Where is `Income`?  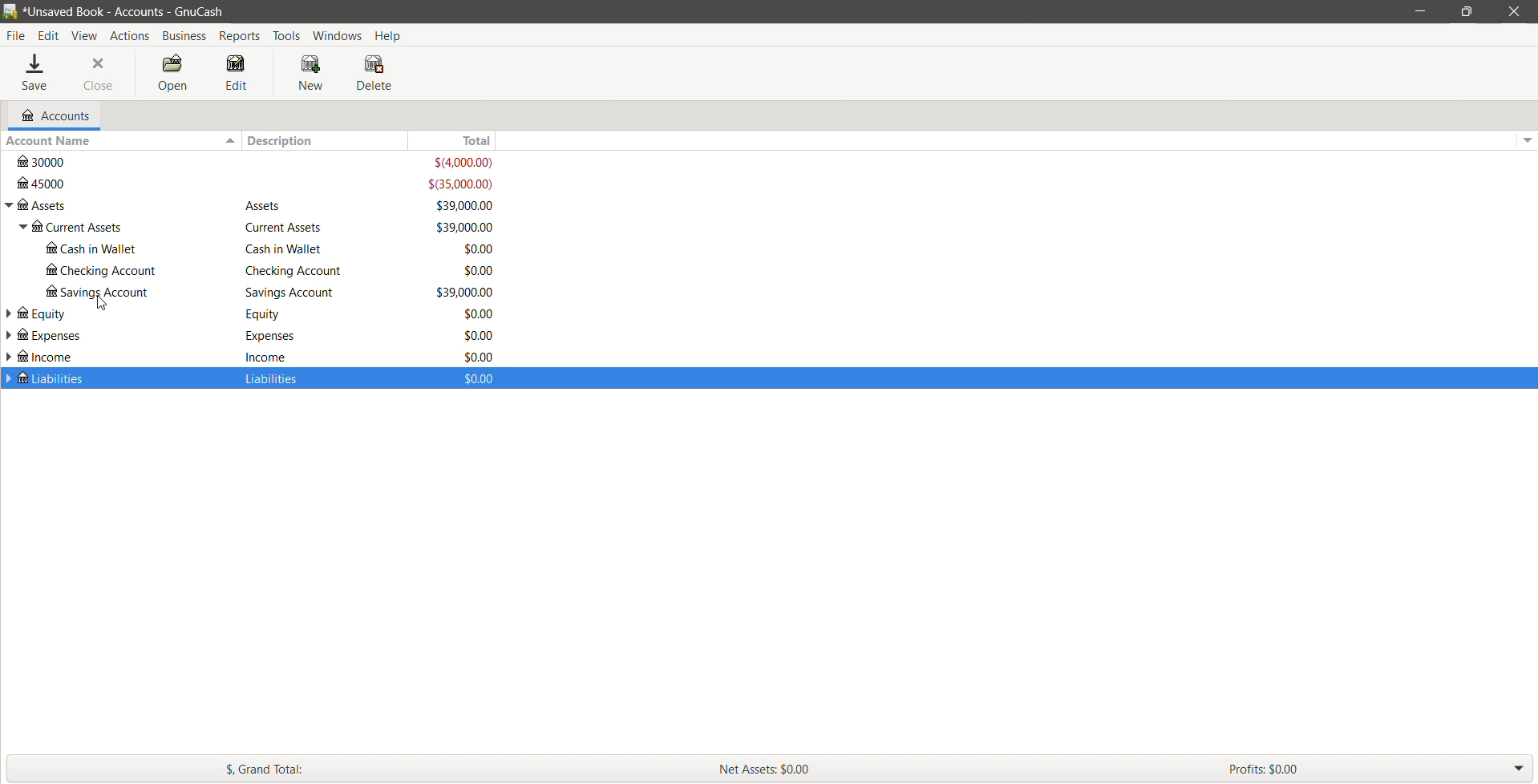
Income is located at coordinates (116, 357).